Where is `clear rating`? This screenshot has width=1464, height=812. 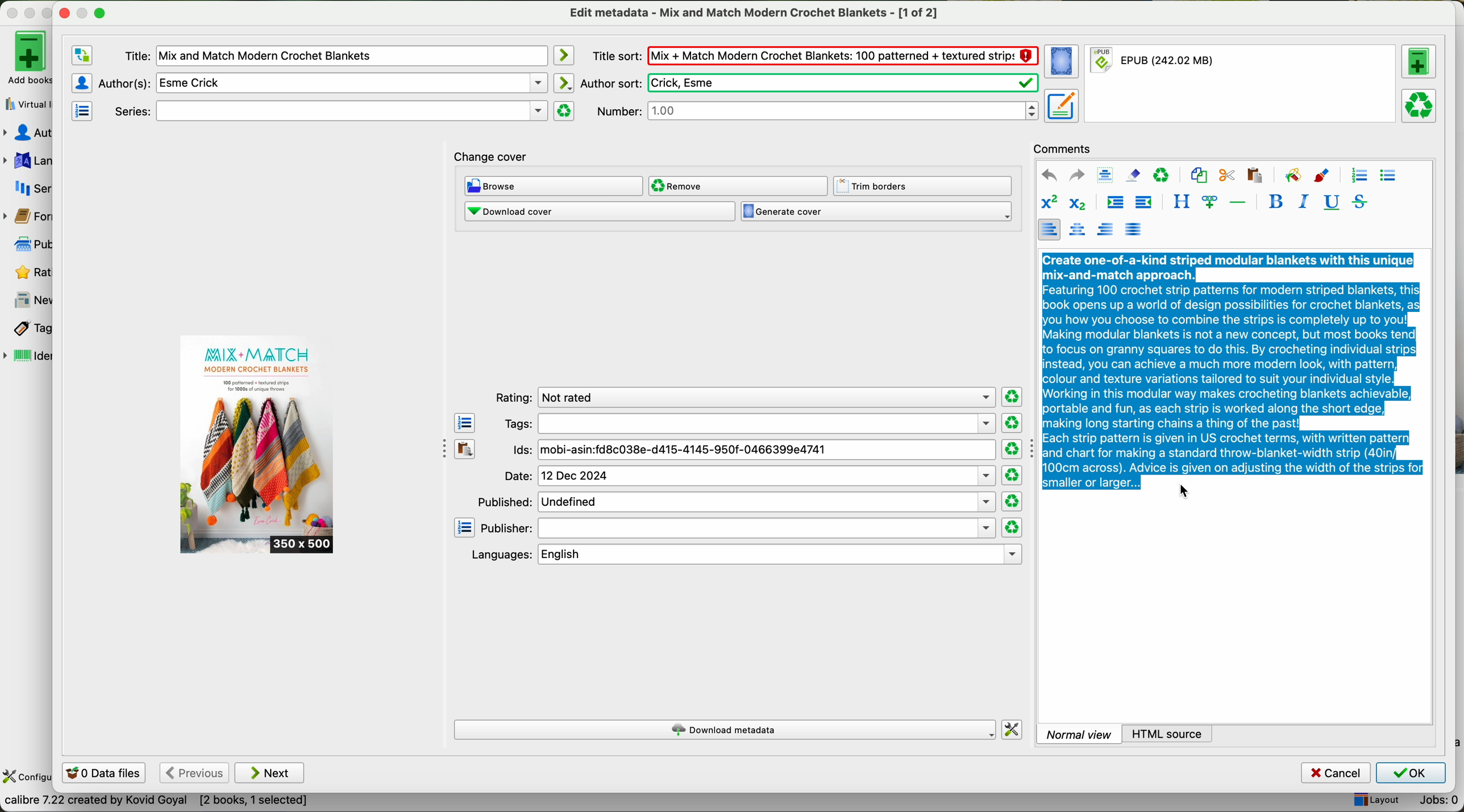
clear rating is located at coordinates (1013, 397).